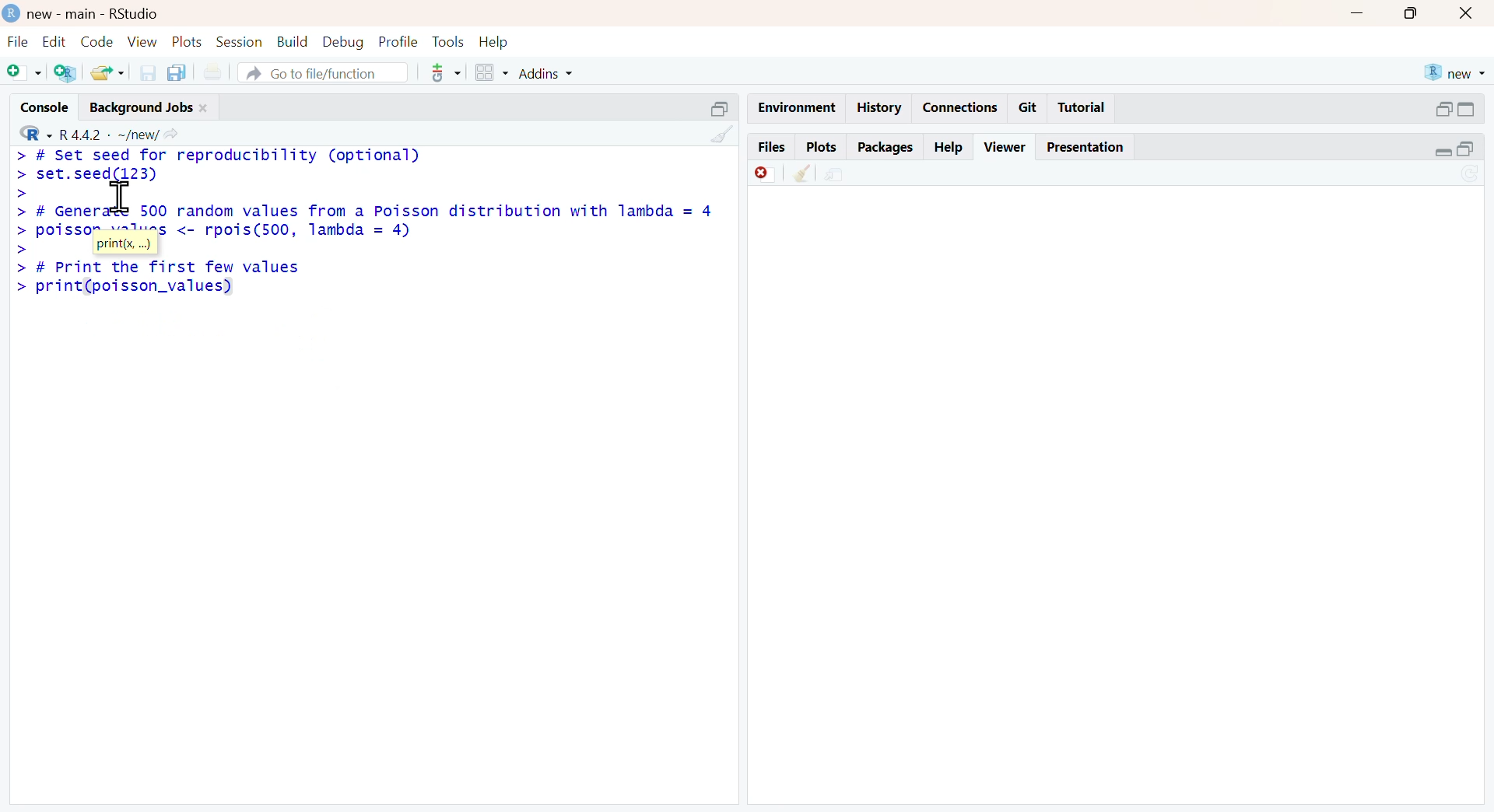 This screenshot has width=1494, height=812. What do you see at coordinates (725, 135) in the screenshot?
I see `clean` at bounding box center [725, 135].